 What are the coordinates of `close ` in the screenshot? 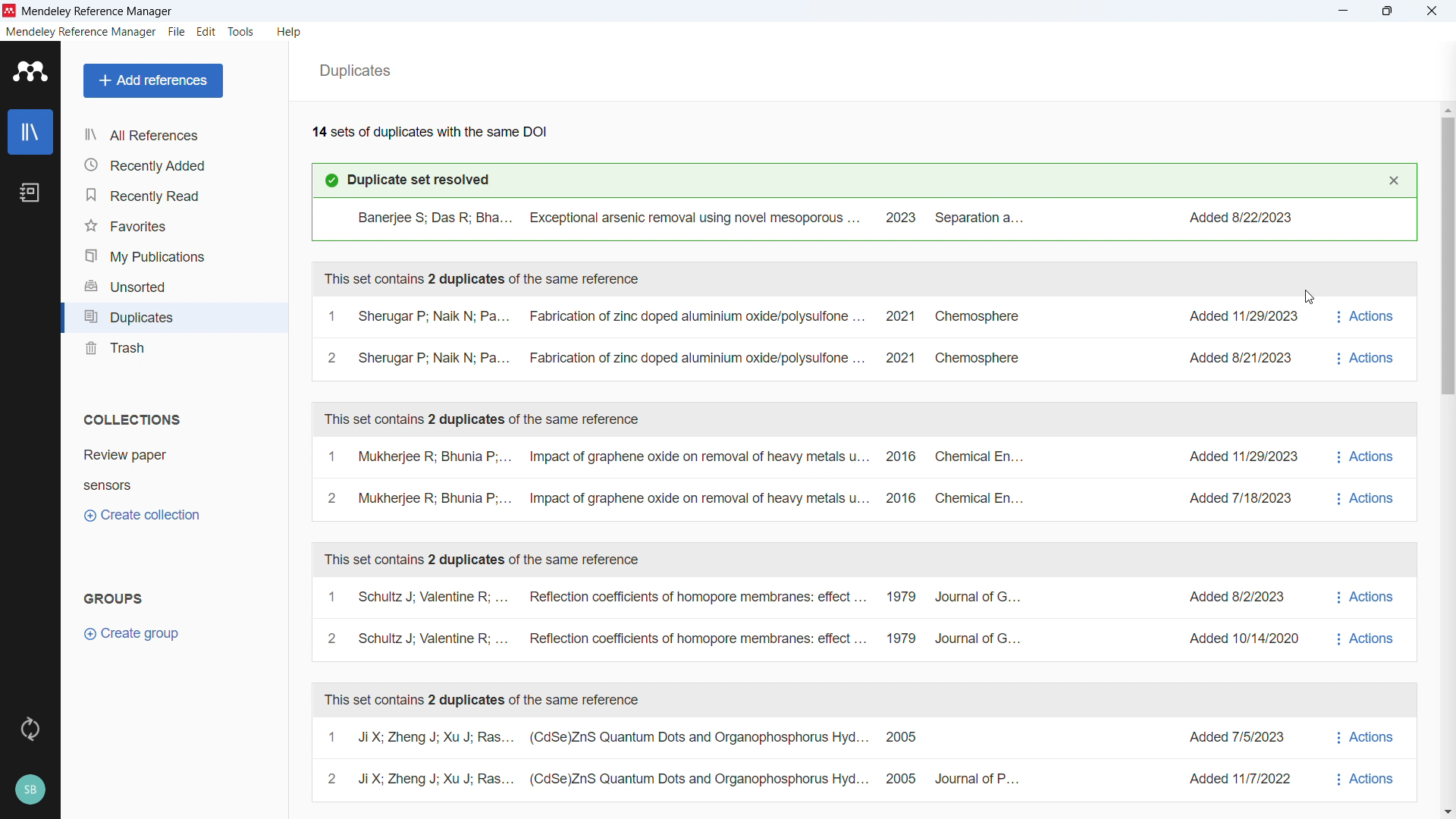 It's located at (1429, 11).